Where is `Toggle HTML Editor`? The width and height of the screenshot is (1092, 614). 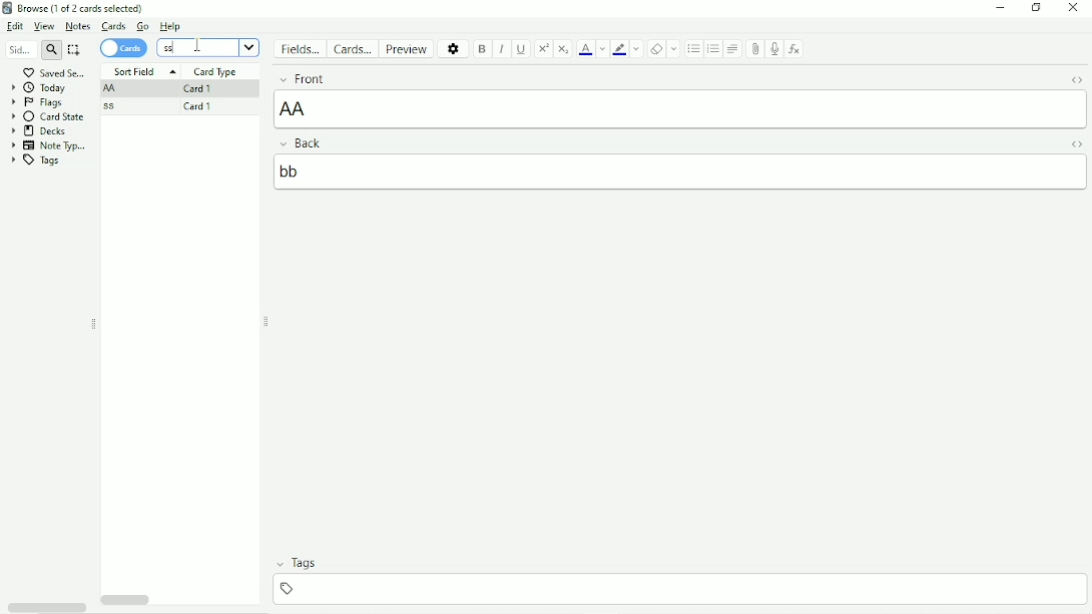
Toggle HTML Editor is located at coordinates (1076, 79).